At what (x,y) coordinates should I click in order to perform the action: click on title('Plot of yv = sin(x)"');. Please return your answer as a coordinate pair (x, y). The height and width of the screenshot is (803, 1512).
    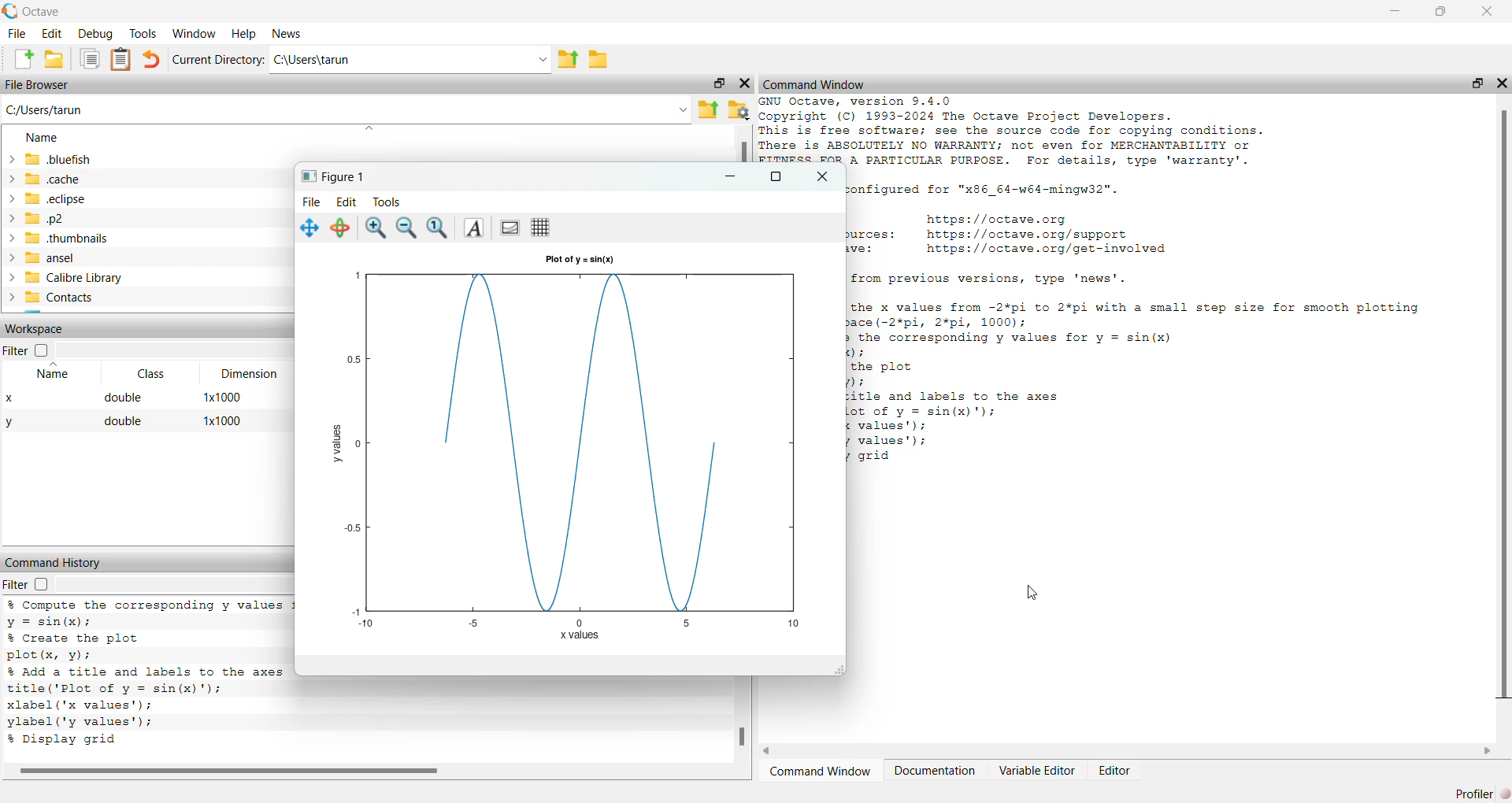
    Looking at the image, I should click on (120, 688).